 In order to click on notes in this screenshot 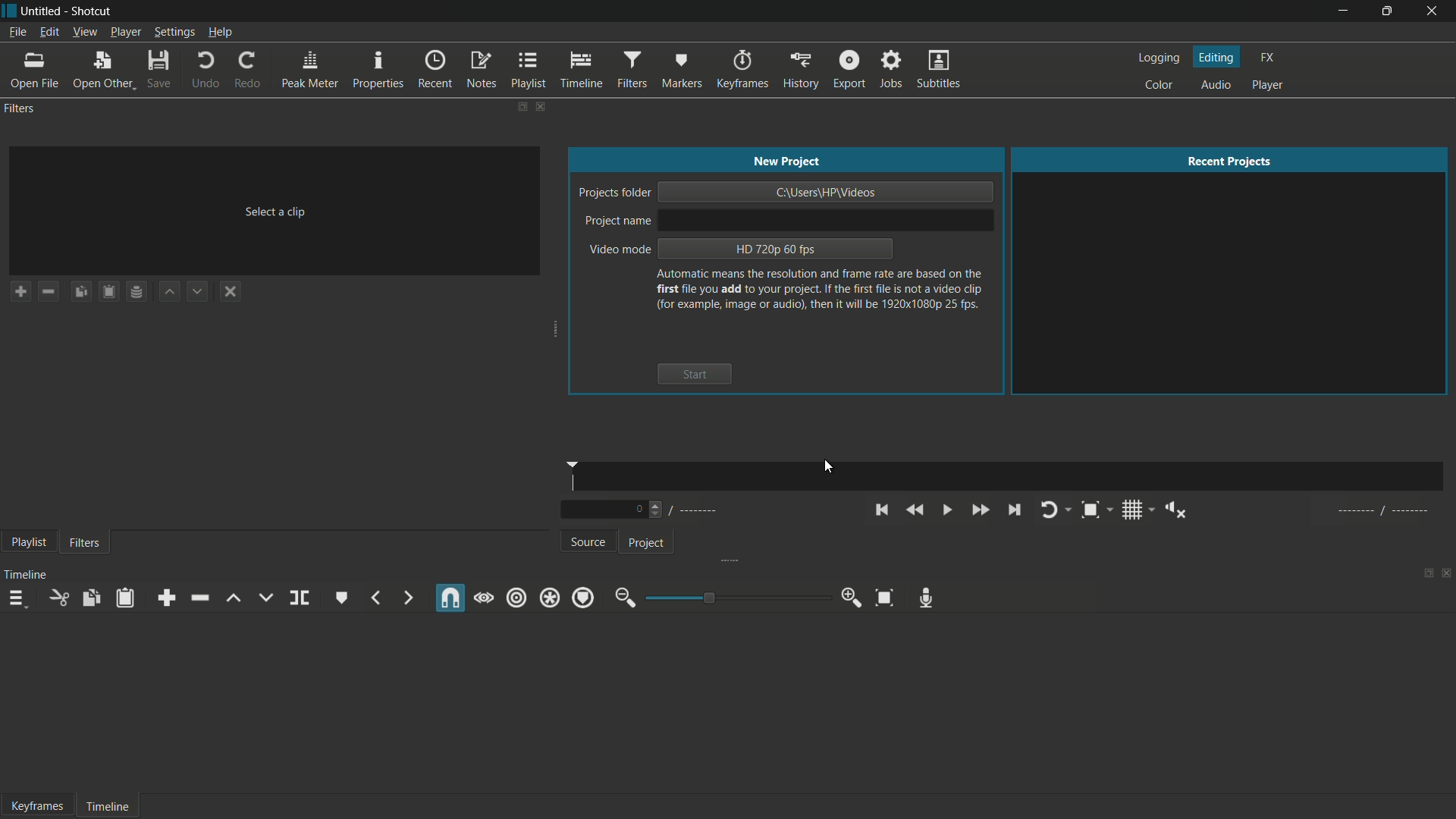, I will do `click(481, 71)`.